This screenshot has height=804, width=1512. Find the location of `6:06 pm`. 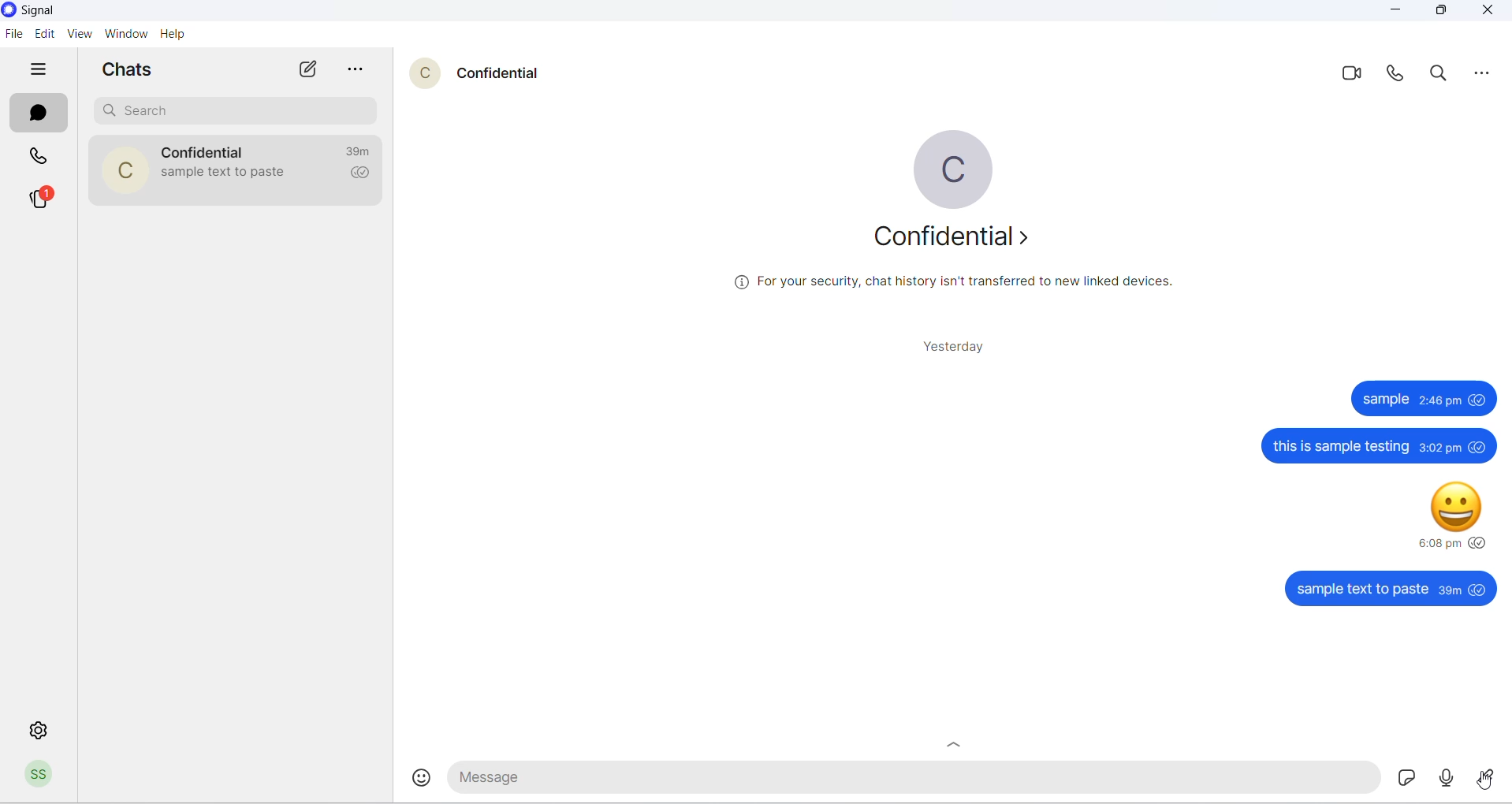

6:06 pm is located at coordinates (1438, 543).